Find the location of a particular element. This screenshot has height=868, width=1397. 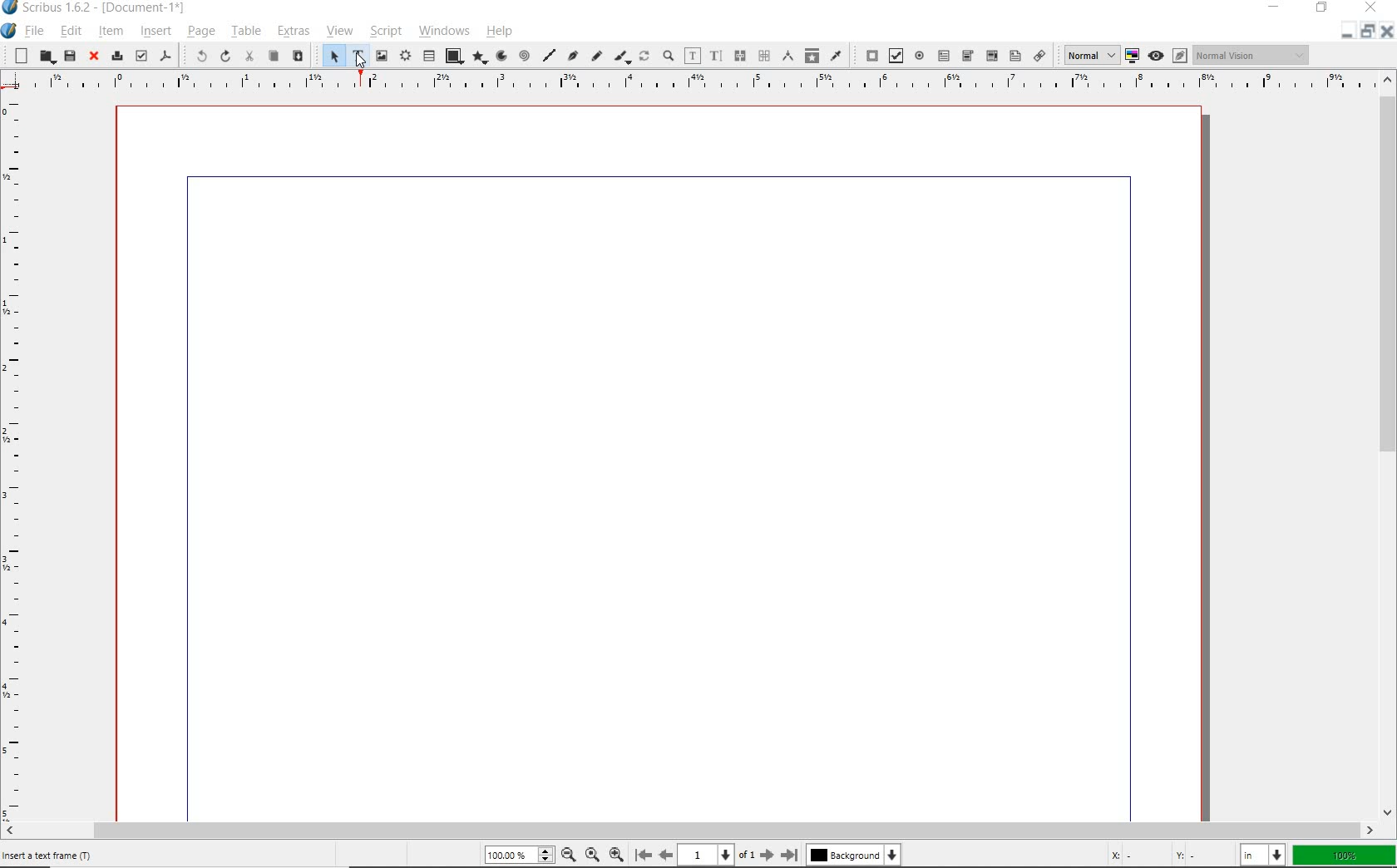

edit text with story editor is located at coordinates (715, 57).